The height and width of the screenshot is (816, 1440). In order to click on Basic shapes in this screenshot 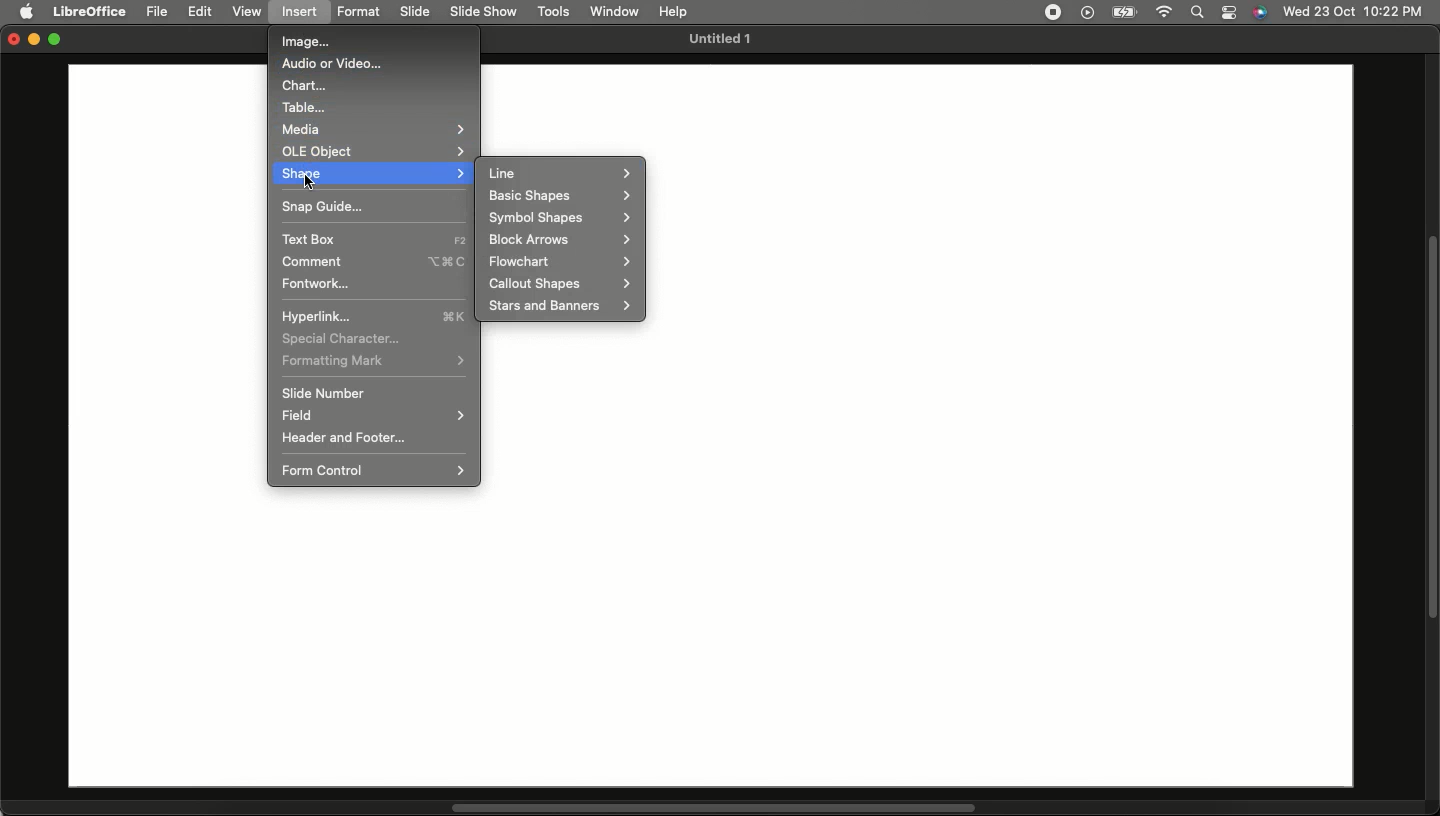, I will do `click(559, 195)`.